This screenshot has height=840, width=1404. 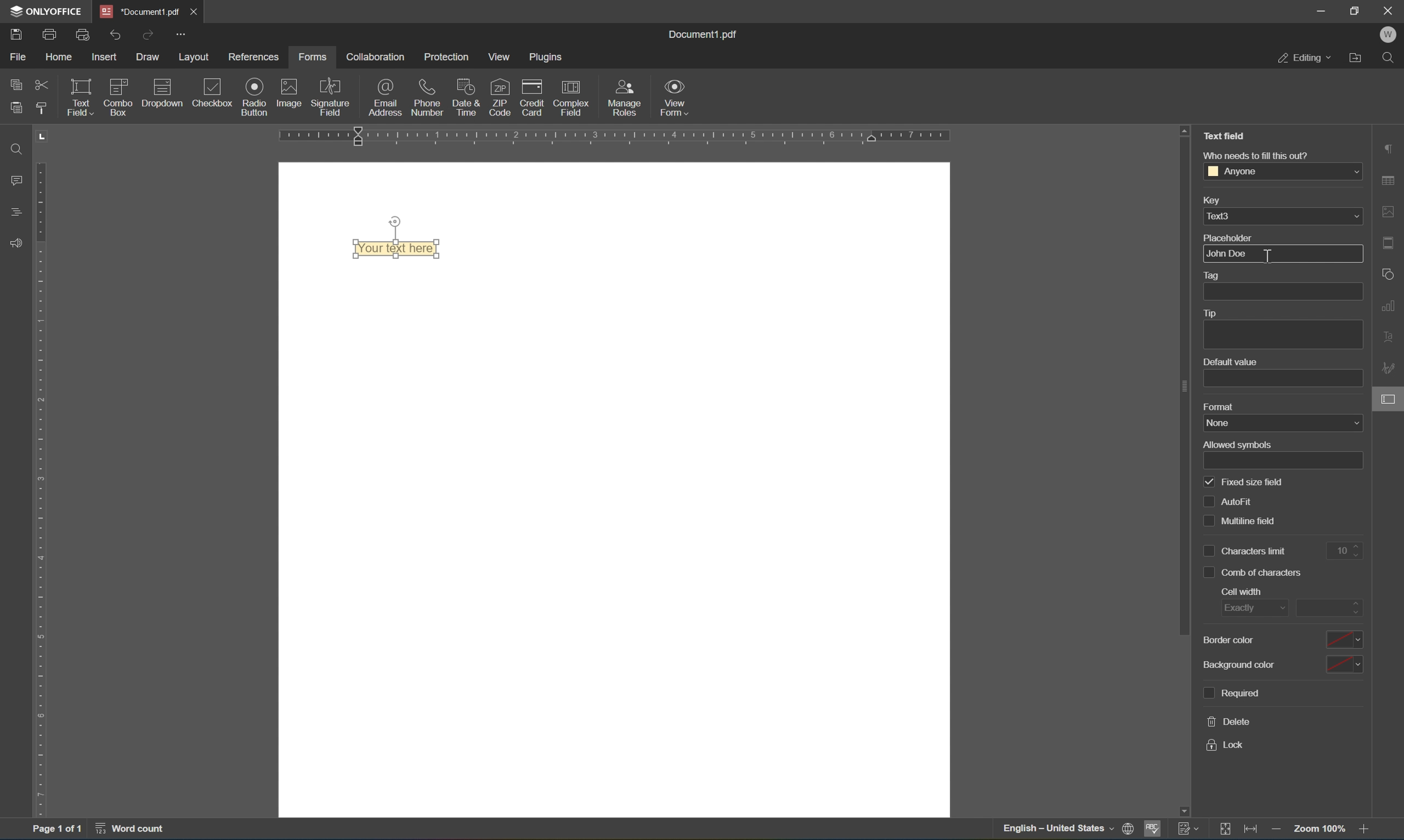 I want to click on fit to slide, so click(x=1226, y=830).